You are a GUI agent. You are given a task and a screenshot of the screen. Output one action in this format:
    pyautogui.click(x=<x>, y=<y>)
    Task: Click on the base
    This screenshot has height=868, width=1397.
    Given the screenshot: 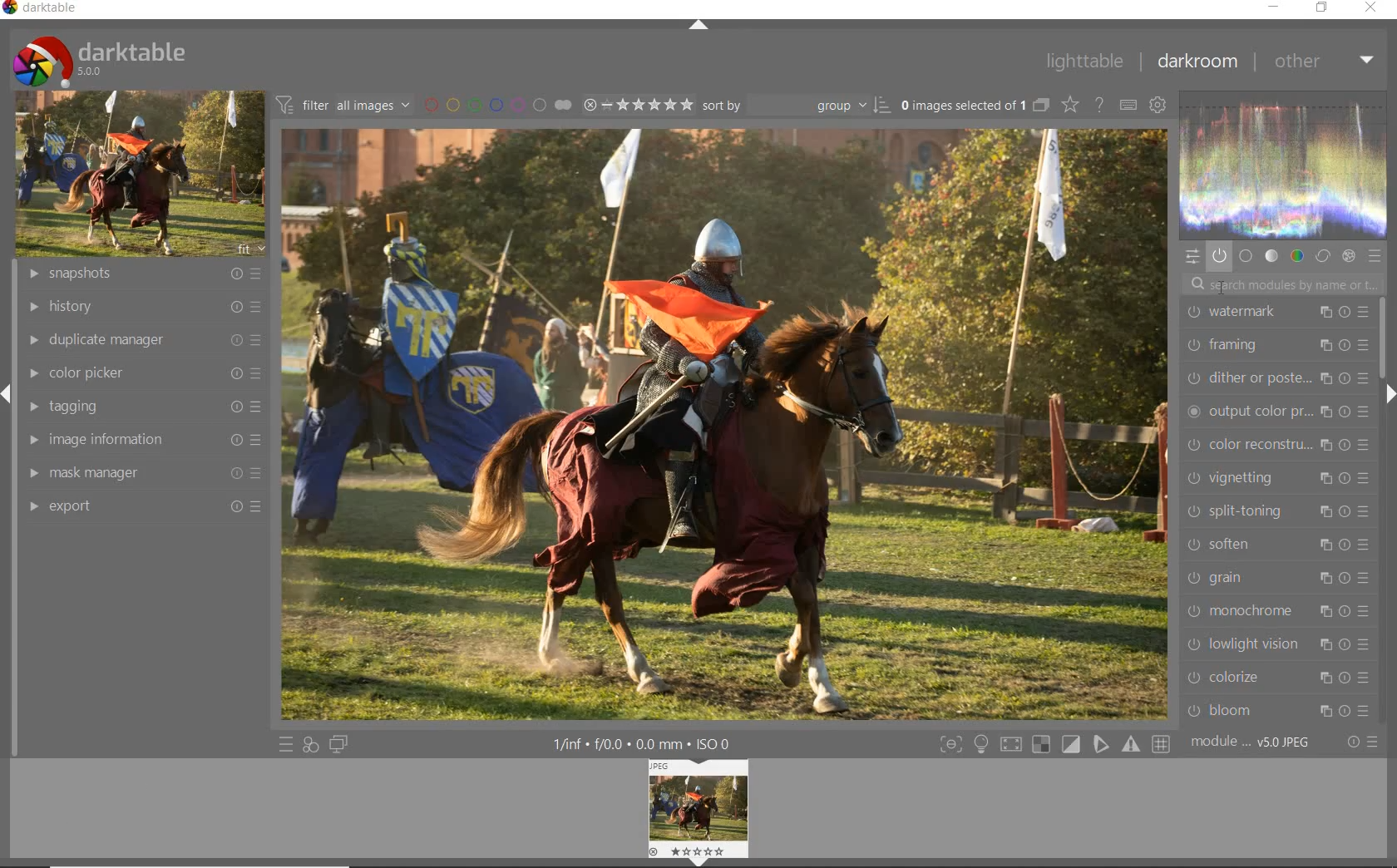 What is the action you would take?
    pyautogui.click(x=1246, y=257)
    